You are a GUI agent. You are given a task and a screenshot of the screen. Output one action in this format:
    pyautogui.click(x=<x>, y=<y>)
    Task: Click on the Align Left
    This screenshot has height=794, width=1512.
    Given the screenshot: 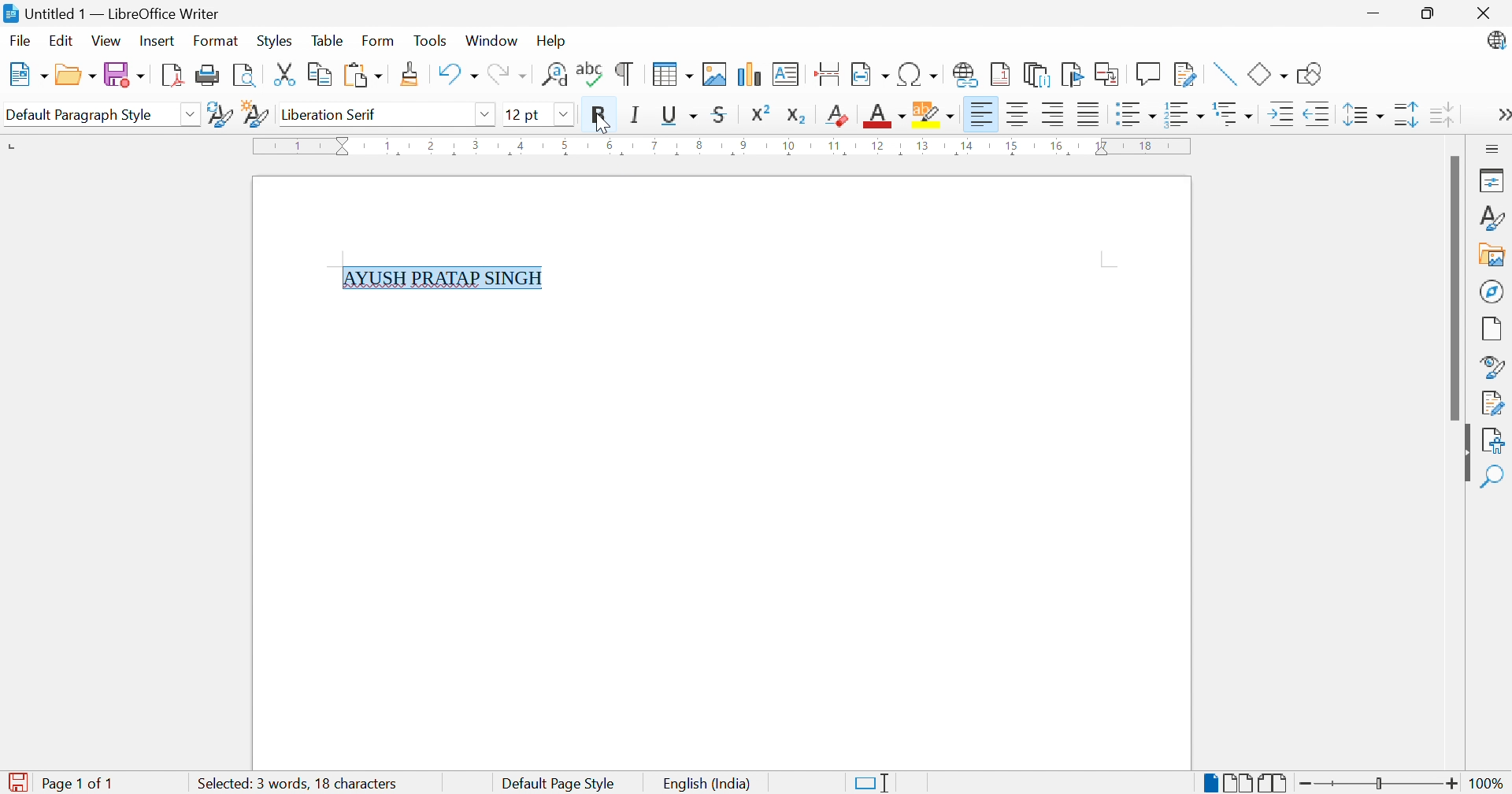 What is the action you would take?
    pyautogui.click(x=980, y=114)
    